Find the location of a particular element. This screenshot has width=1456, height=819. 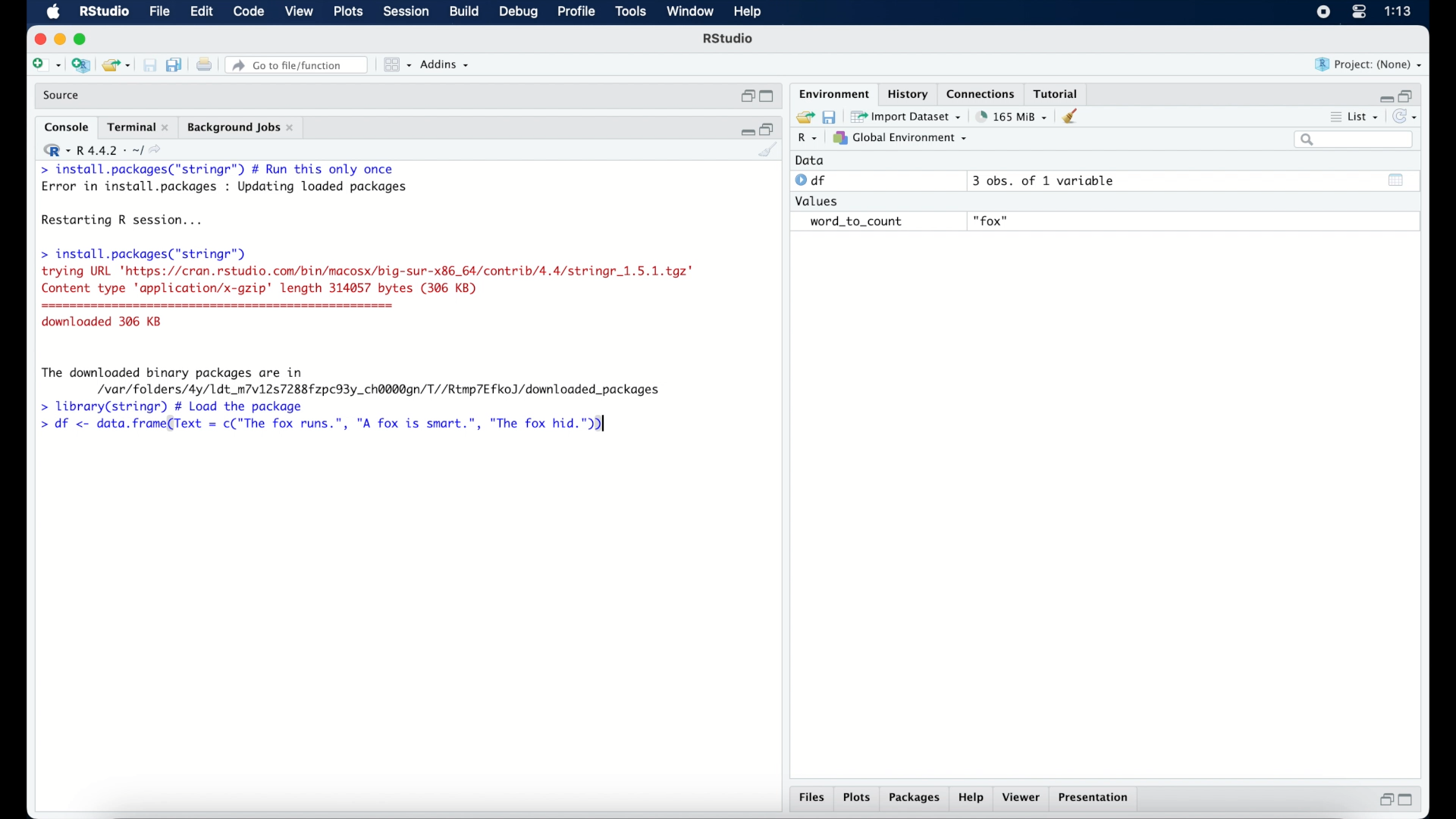

close is located at coordinates (38, 39).